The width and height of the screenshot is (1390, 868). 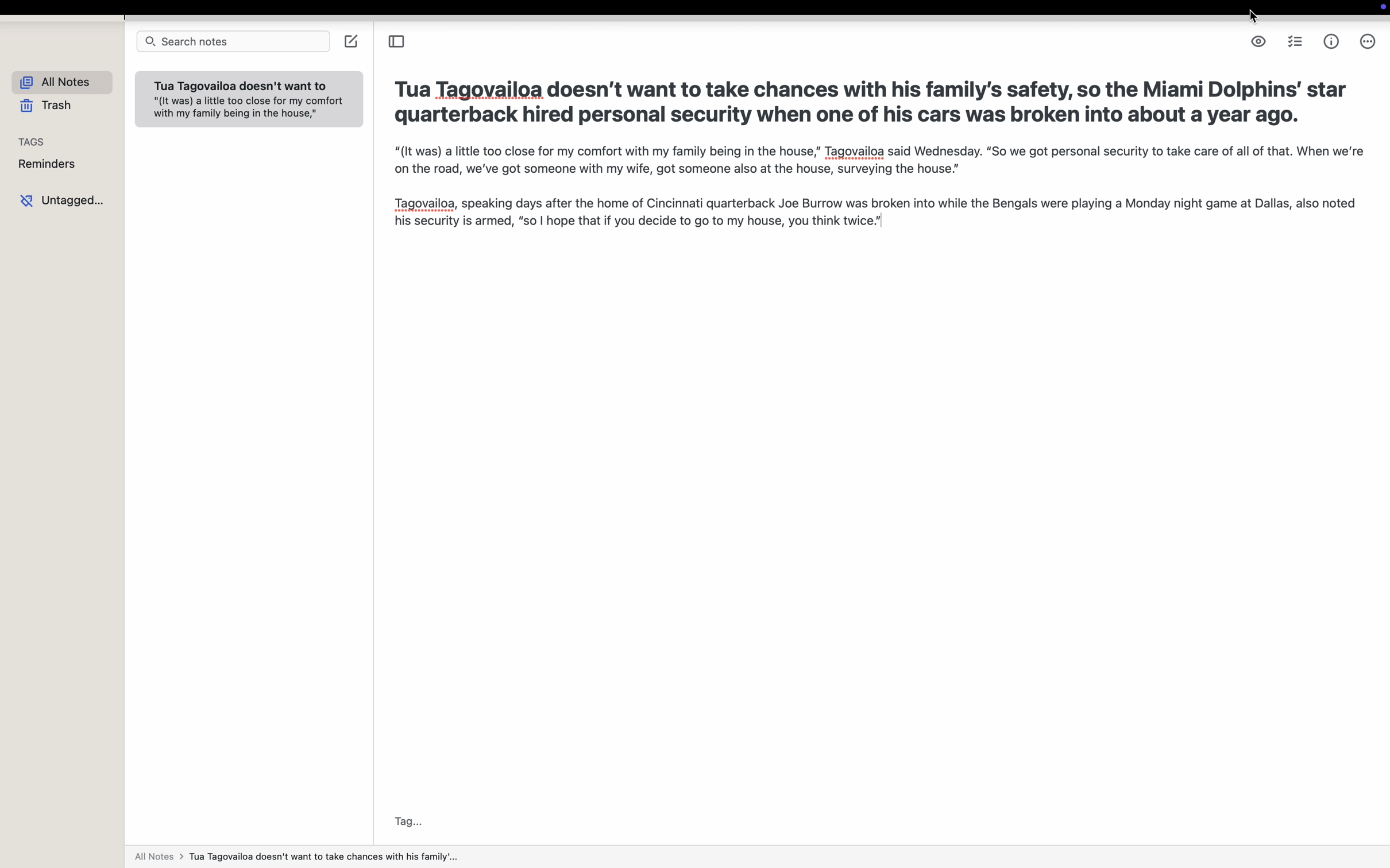 What do you see at coordinates (249, 102) in the screenshot?
I see `Tua Tagovailoa doesn't want to
"(It was) a little too close for my comfort
with my family being in the house,"` at bounding box center [249, 102].